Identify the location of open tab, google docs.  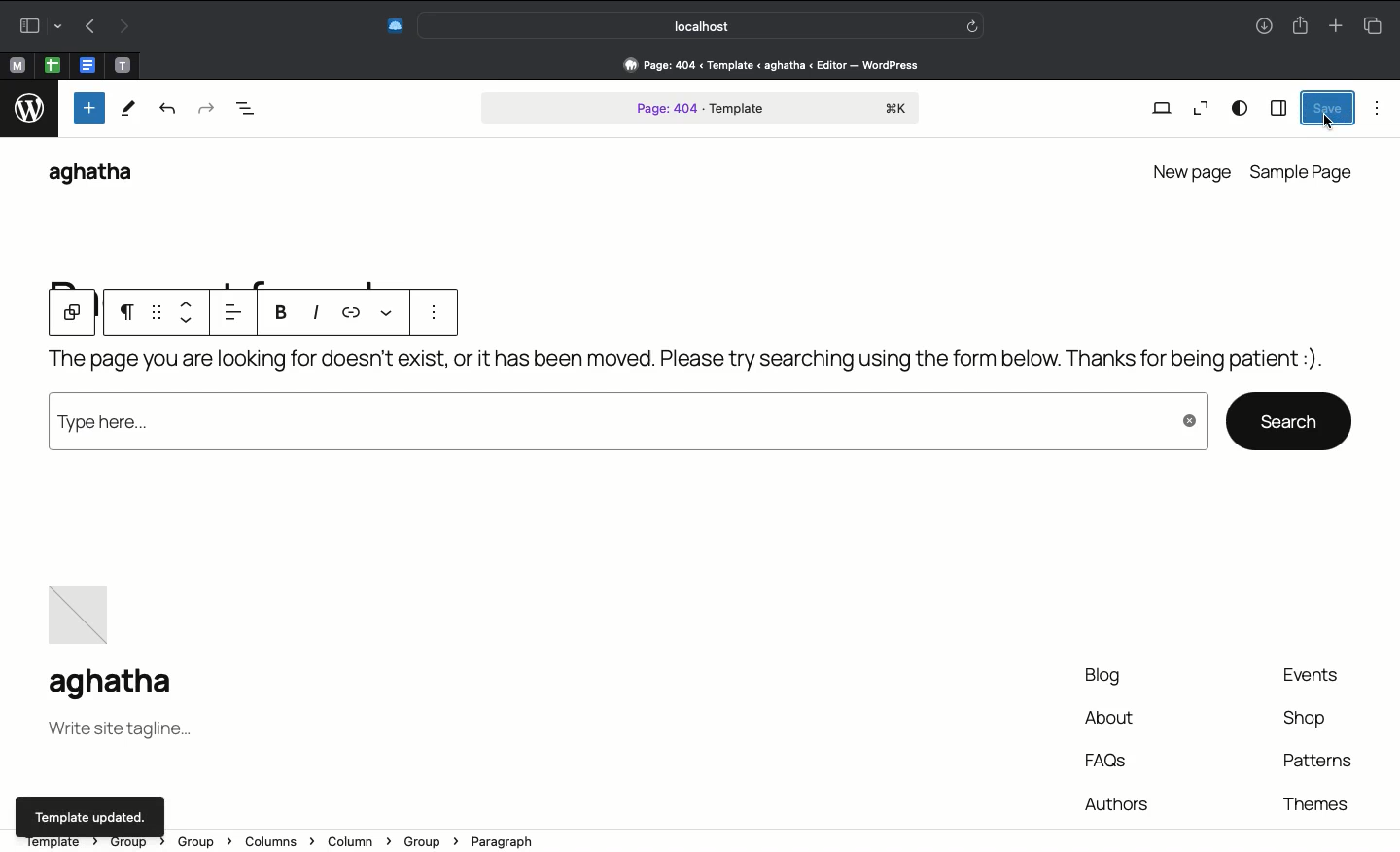
(86, 66).